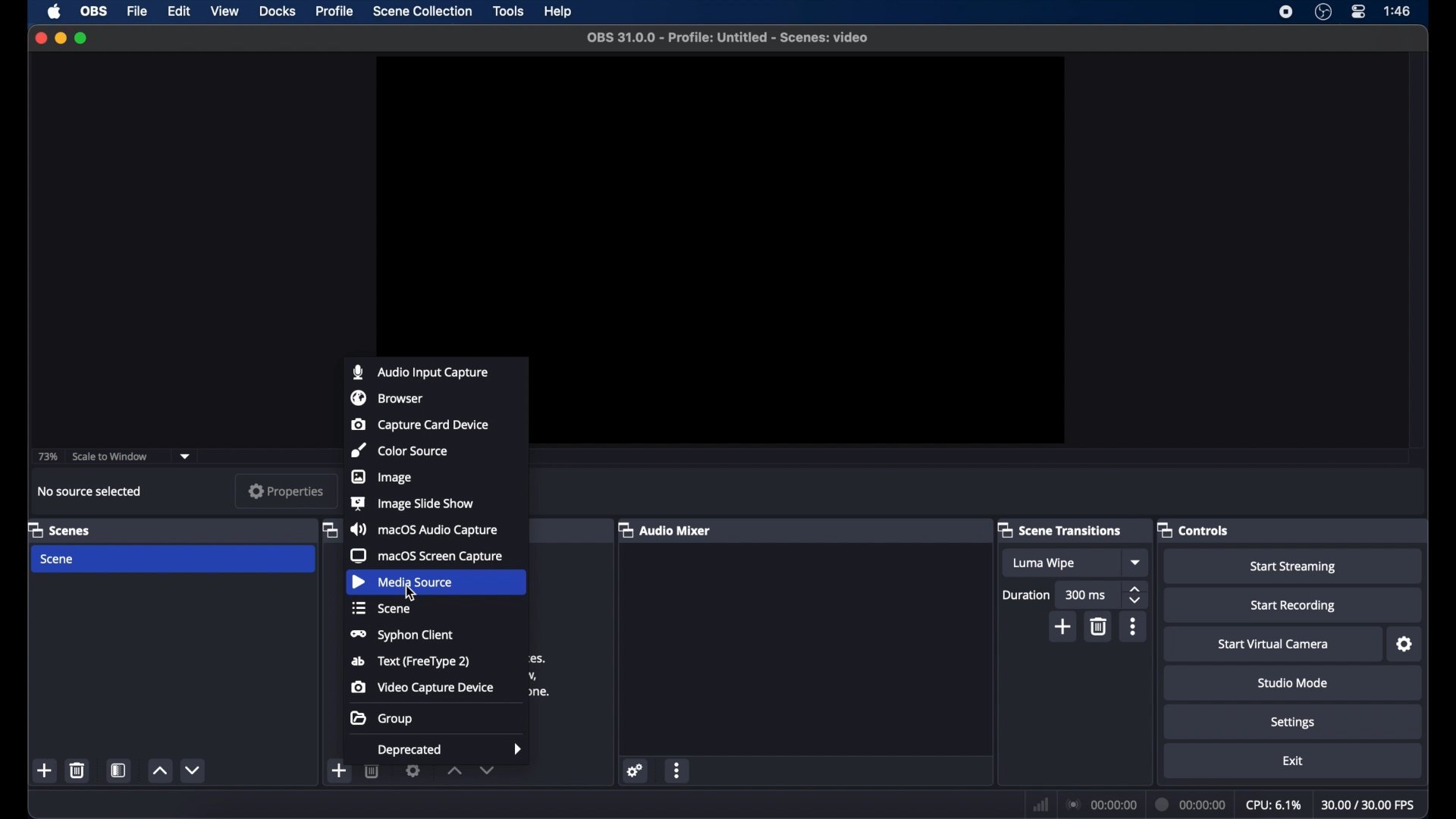  Describe the element at coordinates (426, 555) in the screenshot. I see `macOS screen capture` at that location.